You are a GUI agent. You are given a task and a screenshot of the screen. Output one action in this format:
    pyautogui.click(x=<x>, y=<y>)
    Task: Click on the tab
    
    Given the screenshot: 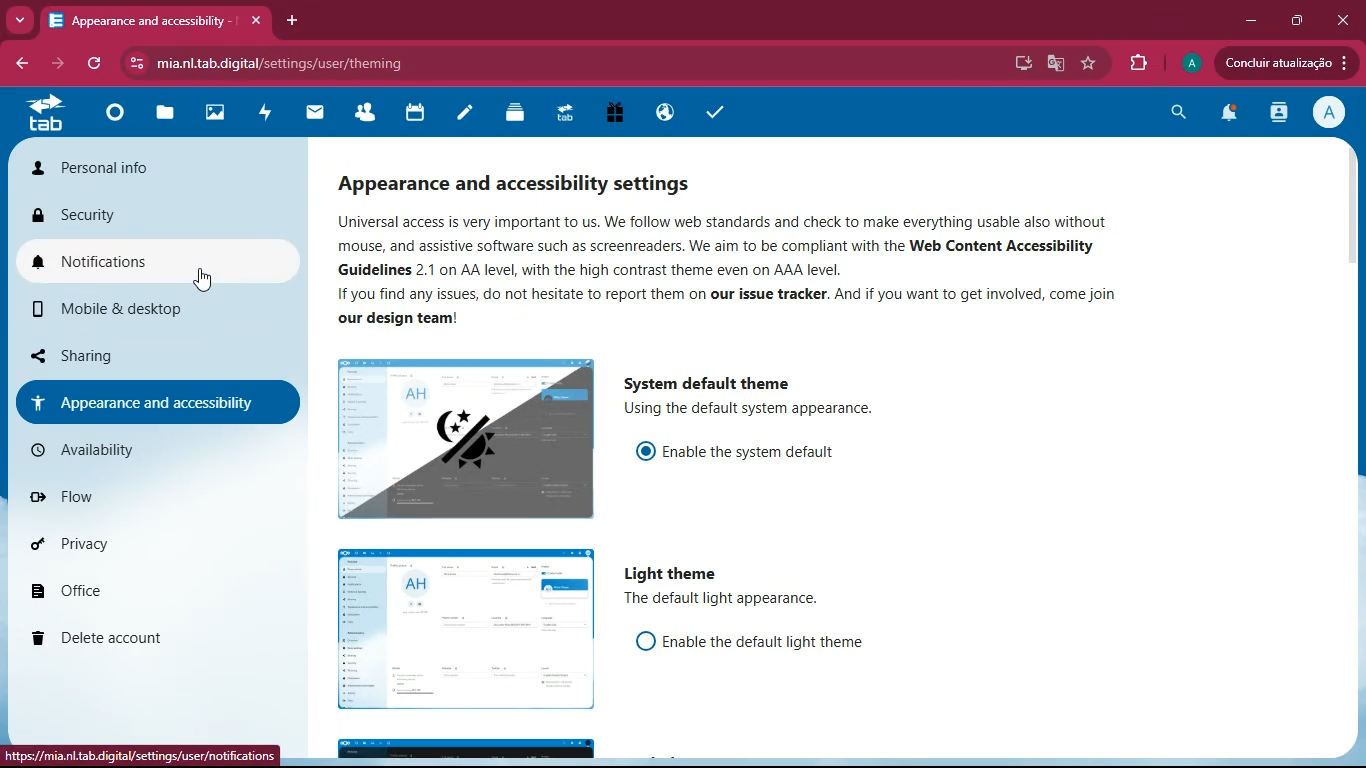 What is the action you would take?
    pyautogui.click(x=44, y=114)
    